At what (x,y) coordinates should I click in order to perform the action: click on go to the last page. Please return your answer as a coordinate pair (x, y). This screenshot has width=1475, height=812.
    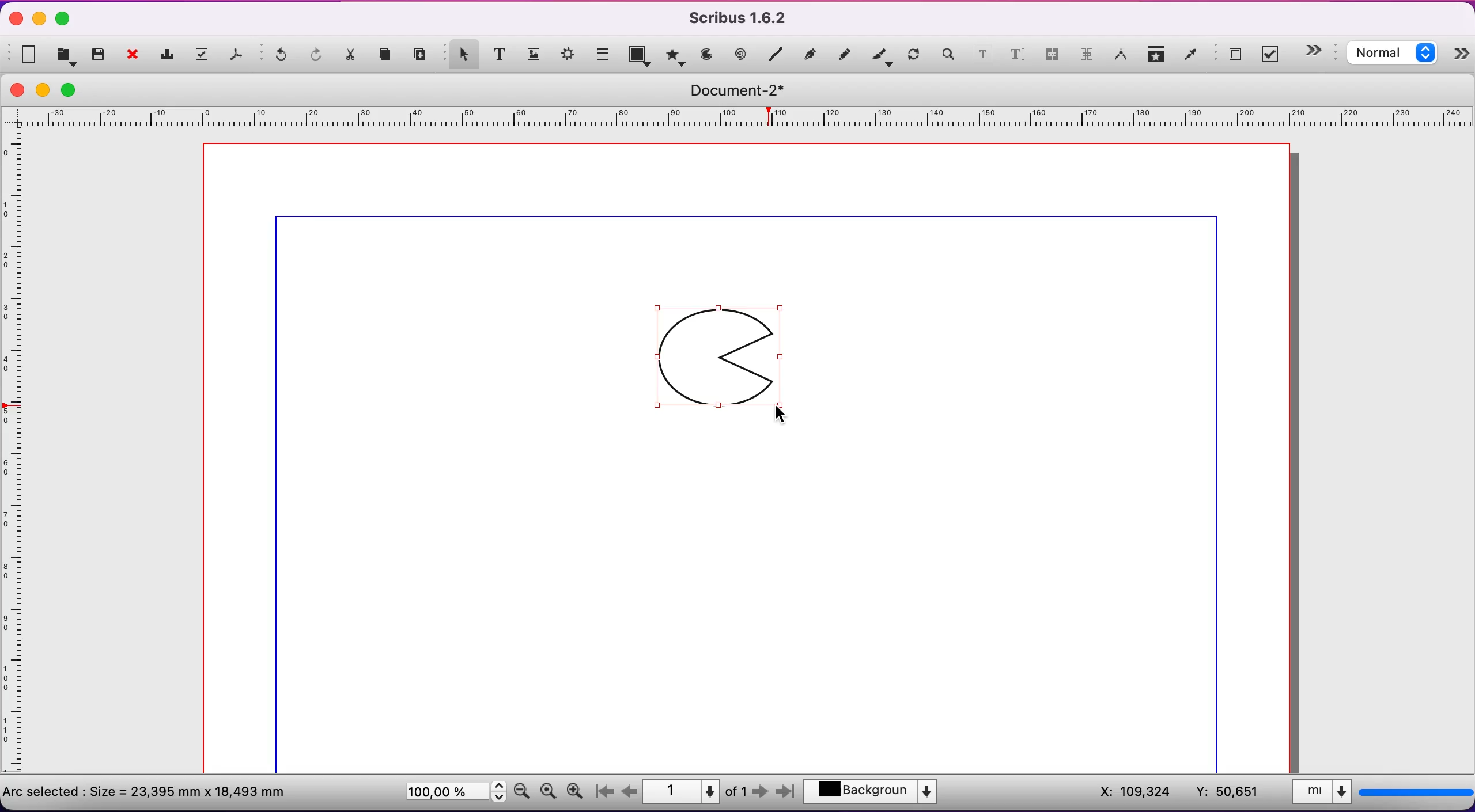
    Looking at the image, I should click on (784, 794).